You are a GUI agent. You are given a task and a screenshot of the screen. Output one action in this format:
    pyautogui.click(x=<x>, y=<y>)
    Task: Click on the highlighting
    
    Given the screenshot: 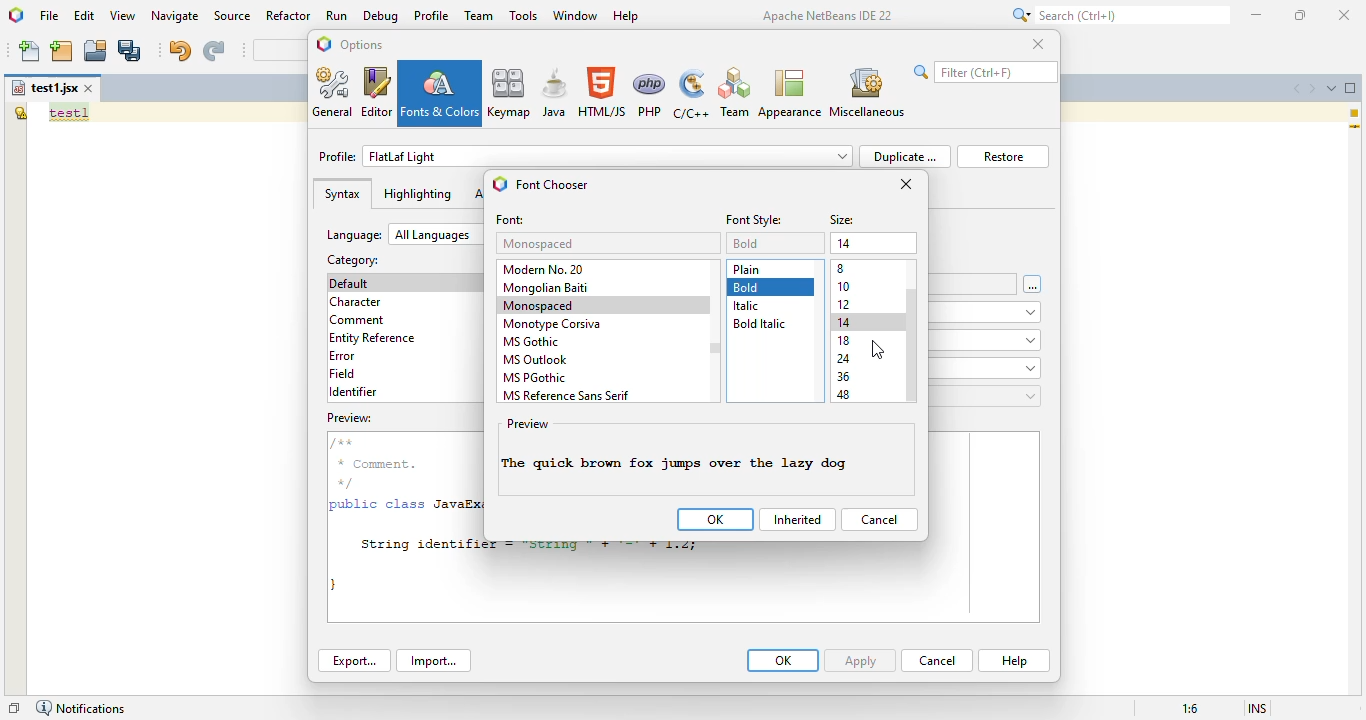 What is the action you would take?
    pyautogui.click(x=417, y=194)
    